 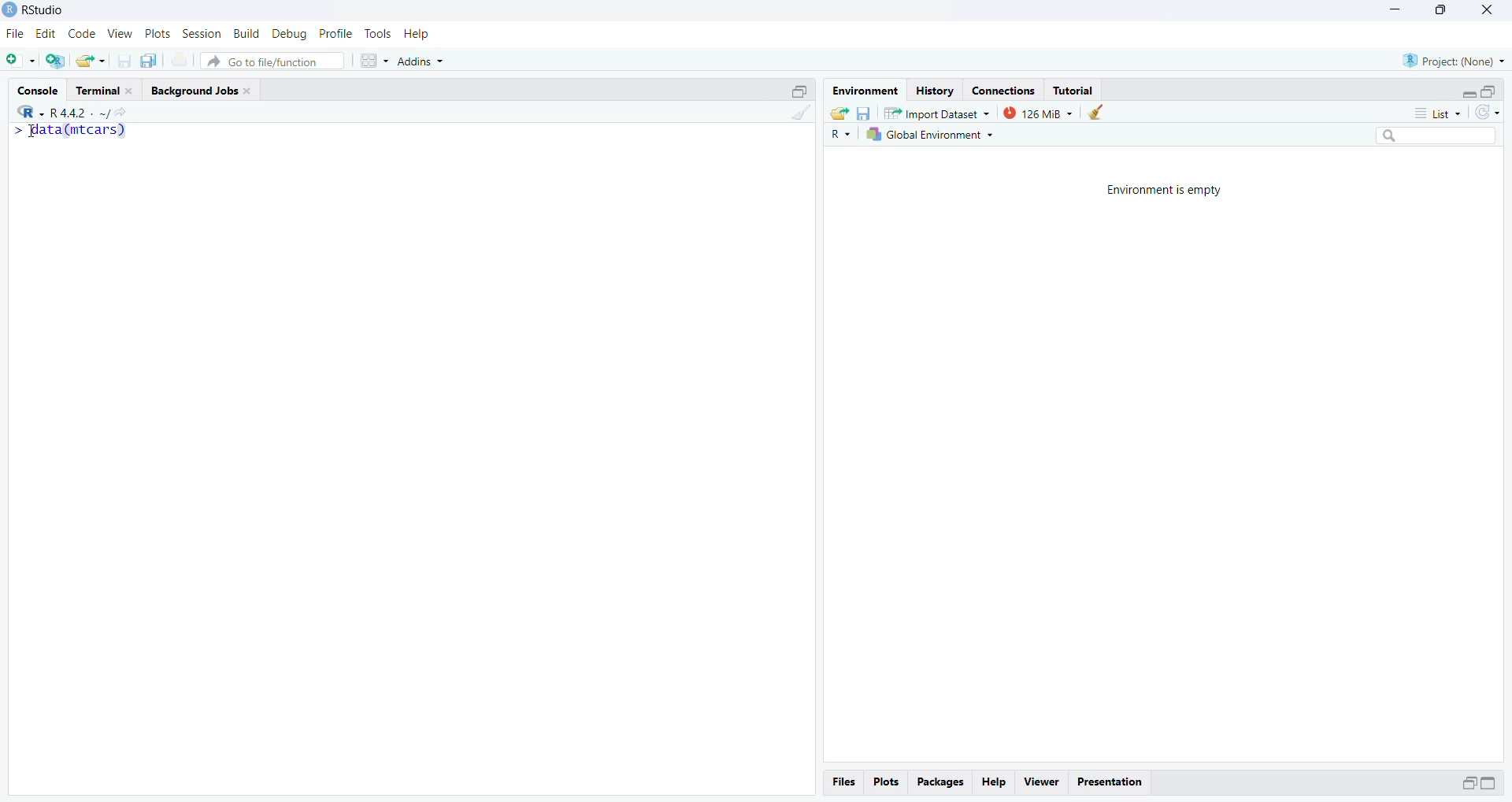 I want to click on Import Dataset, so click(x=936, y=113).